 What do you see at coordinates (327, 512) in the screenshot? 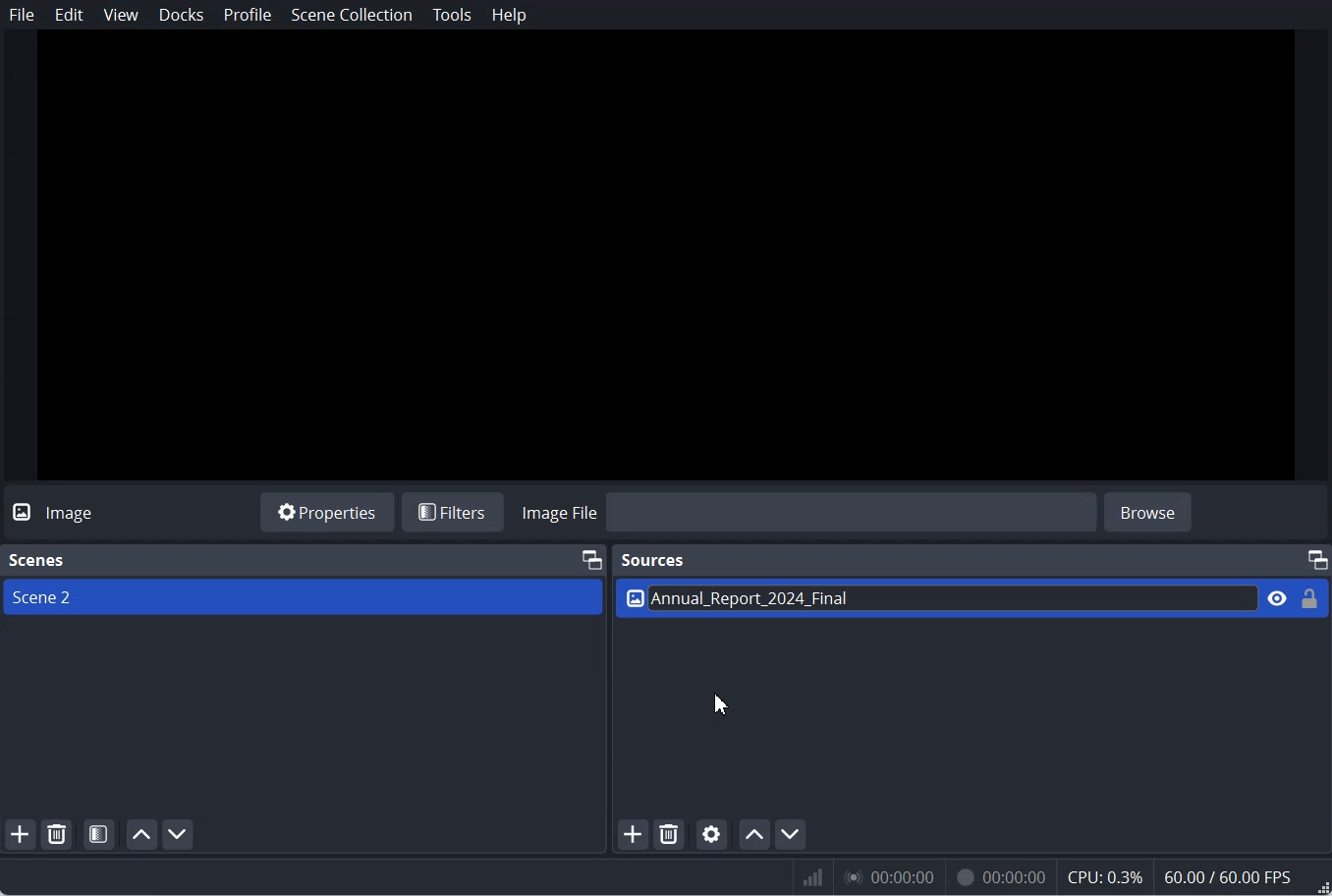
I see `Properties` at bounding box center [327, 512].